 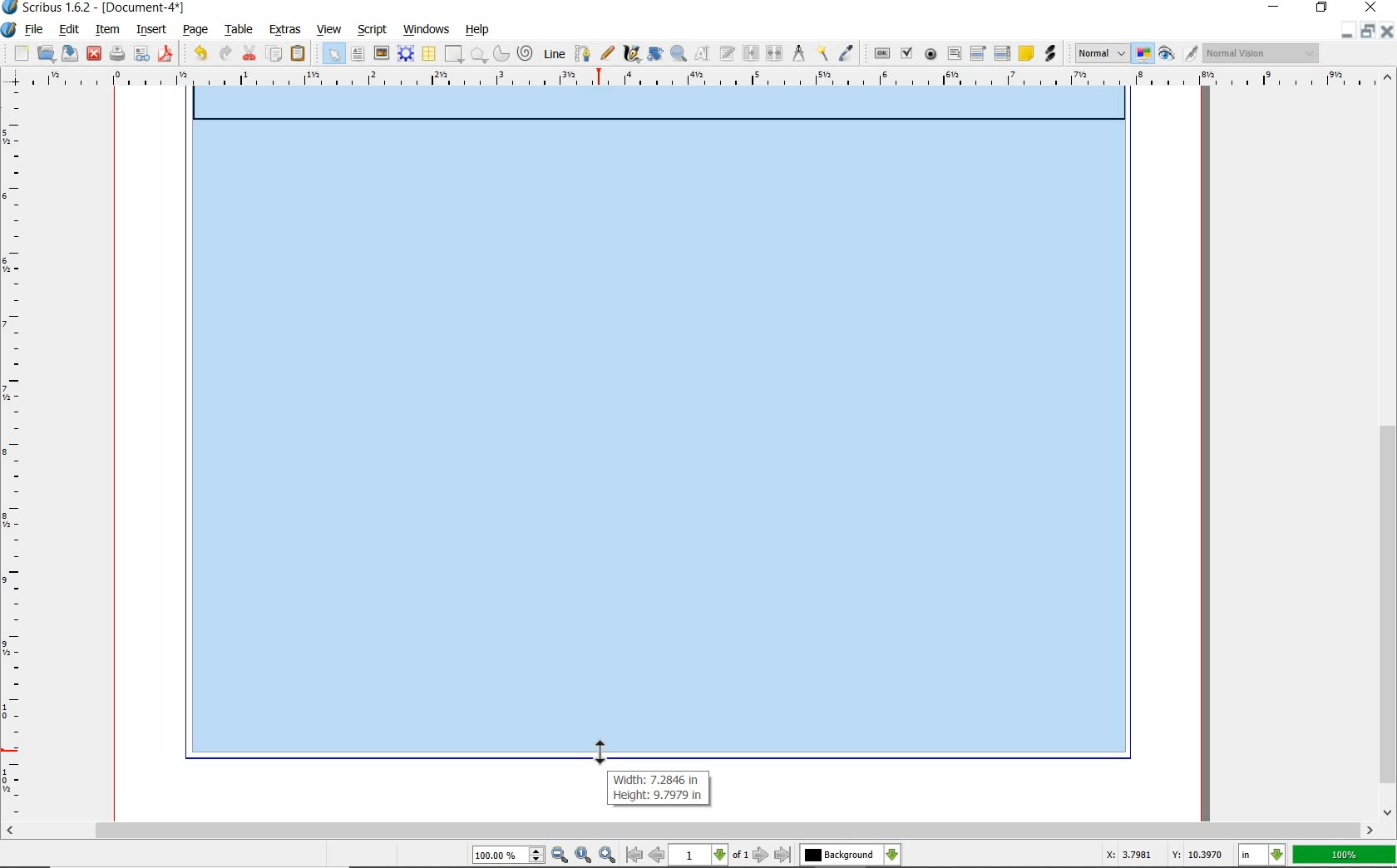 I want to click on new, so click(x=16, y=53).